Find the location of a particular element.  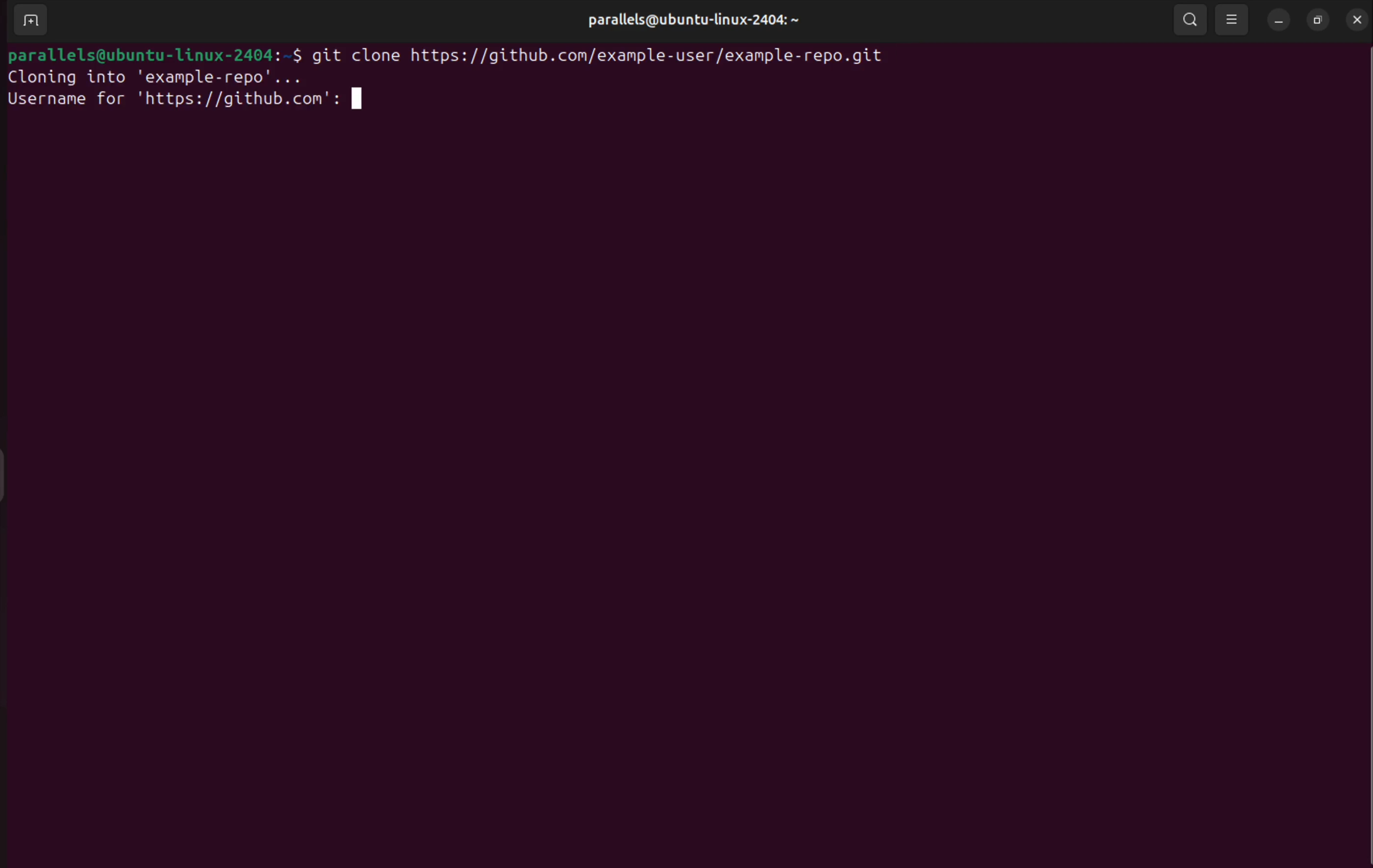

clonning into example repo is located at coordinates (161, 78).